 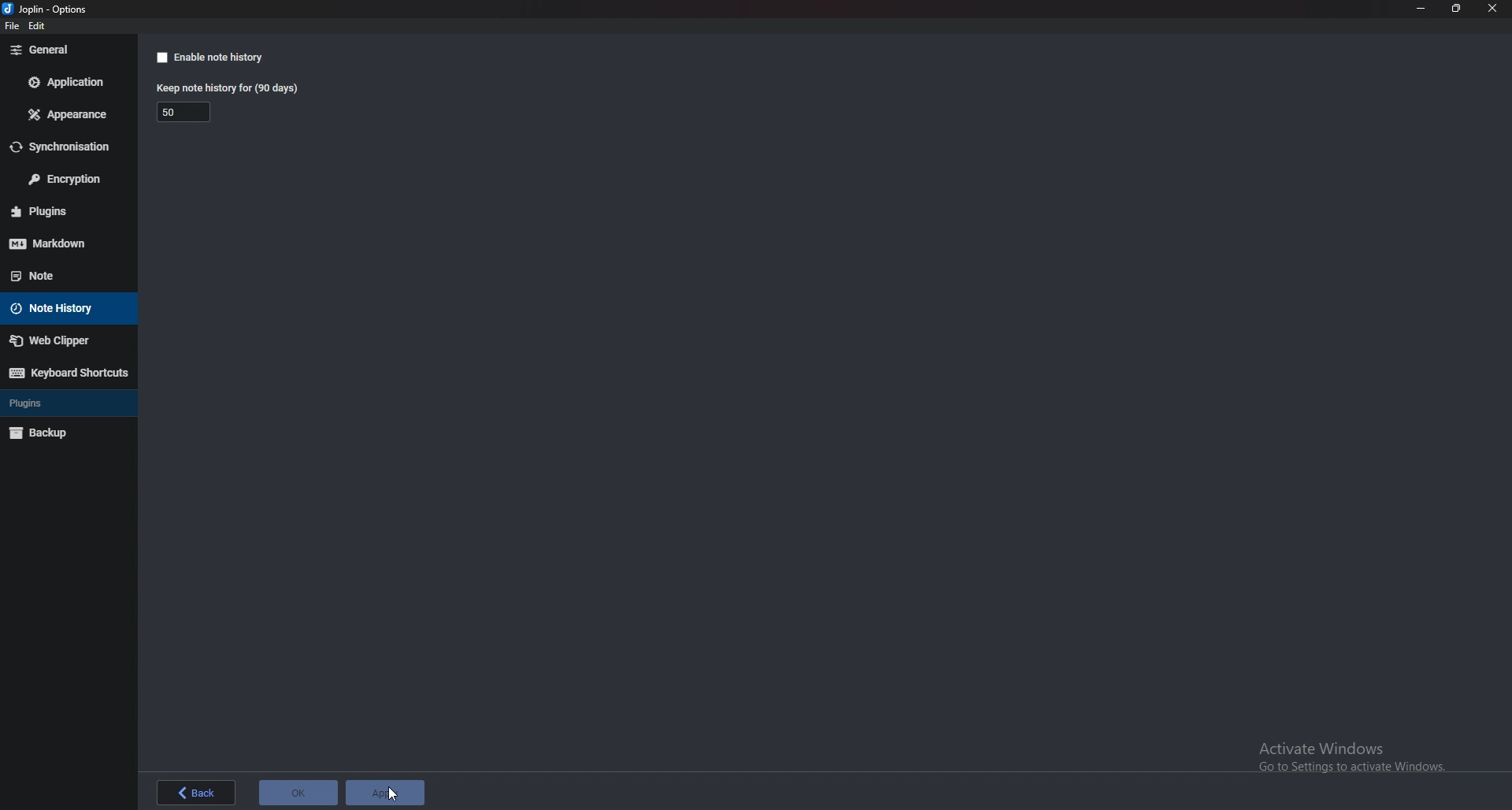 I want to click on Encryption, so click(x=66, y=178).